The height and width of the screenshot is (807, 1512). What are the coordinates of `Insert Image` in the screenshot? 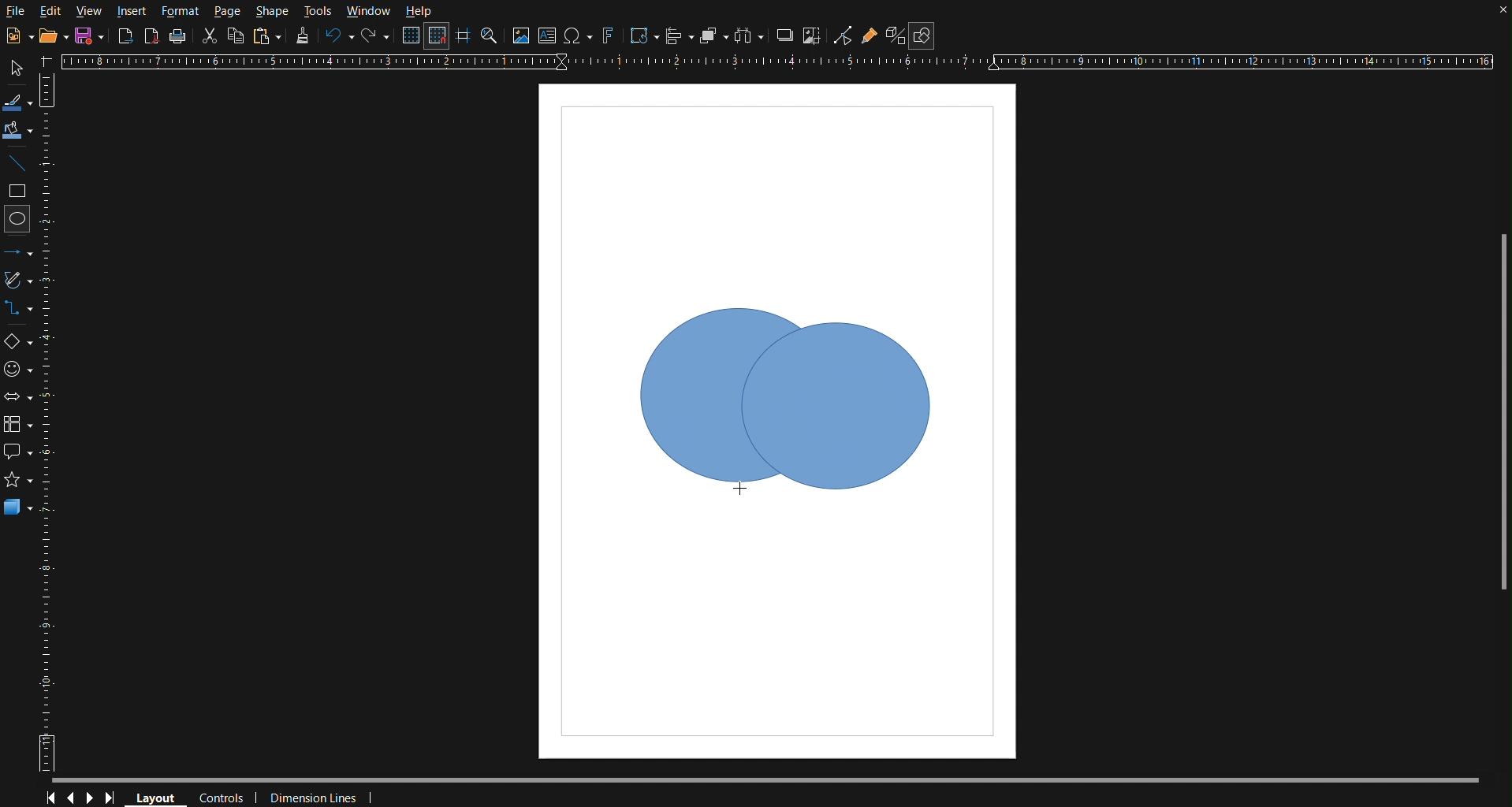 It's located at (522, 35).